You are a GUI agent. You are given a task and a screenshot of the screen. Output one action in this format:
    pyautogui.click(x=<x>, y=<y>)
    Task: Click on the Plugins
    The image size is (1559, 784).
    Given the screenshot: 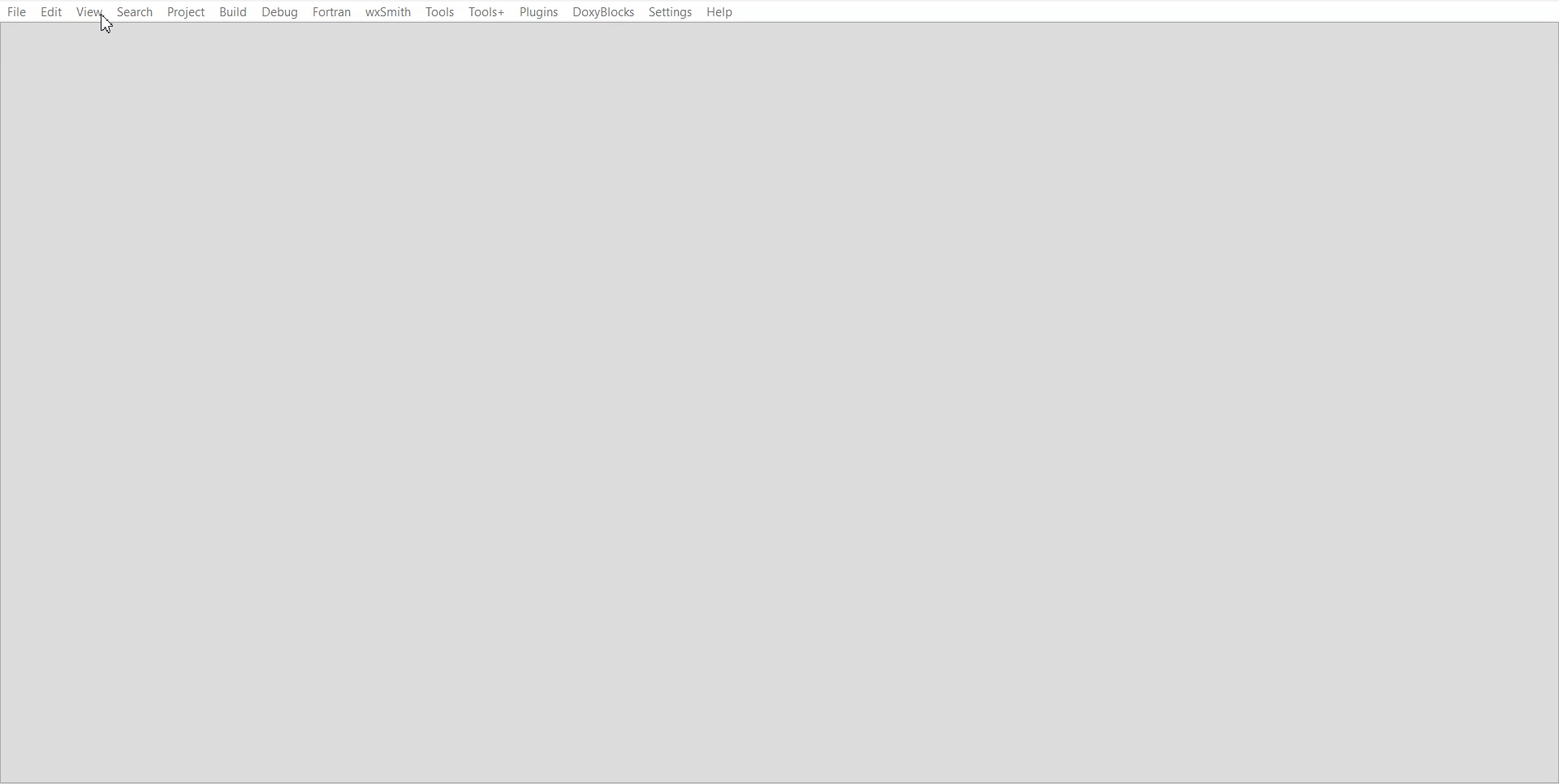 What is the action you would take?
    pyautogui.click(x=538, y=13)
    